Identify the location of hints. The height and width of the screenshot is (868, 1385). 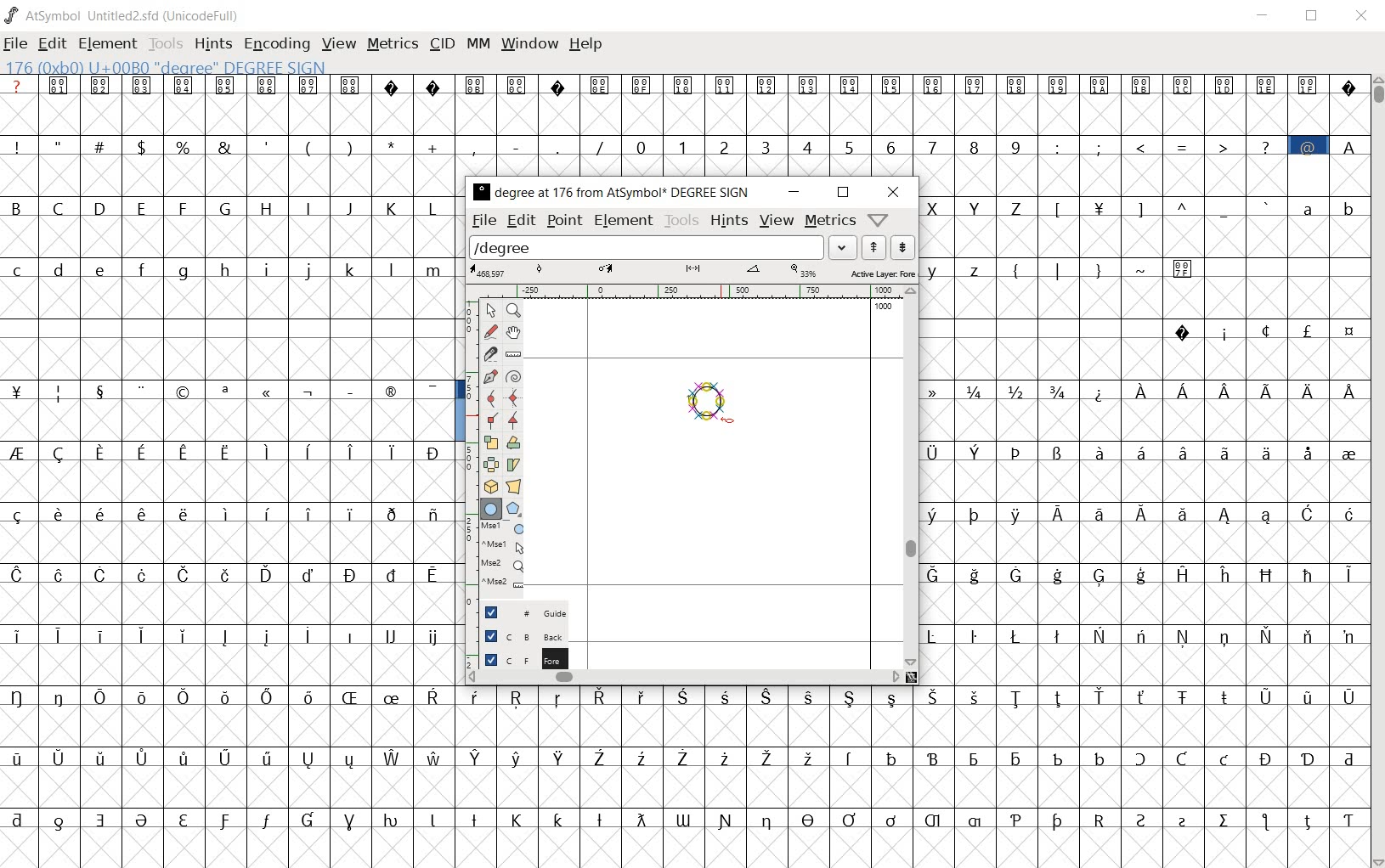
(729, 221).